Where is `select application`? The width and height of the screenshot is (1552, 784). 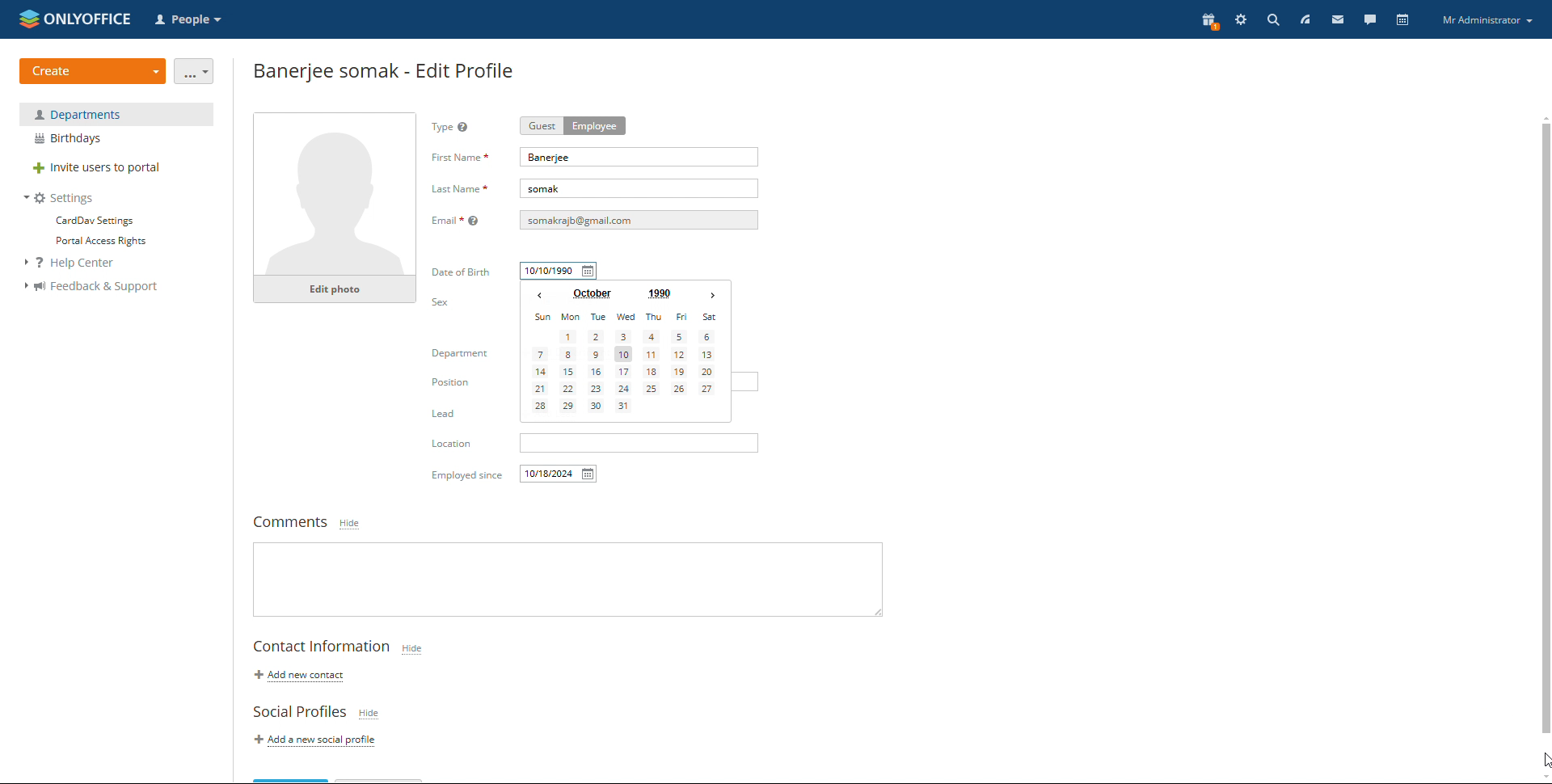
select application is located at coordinates (191, 20).